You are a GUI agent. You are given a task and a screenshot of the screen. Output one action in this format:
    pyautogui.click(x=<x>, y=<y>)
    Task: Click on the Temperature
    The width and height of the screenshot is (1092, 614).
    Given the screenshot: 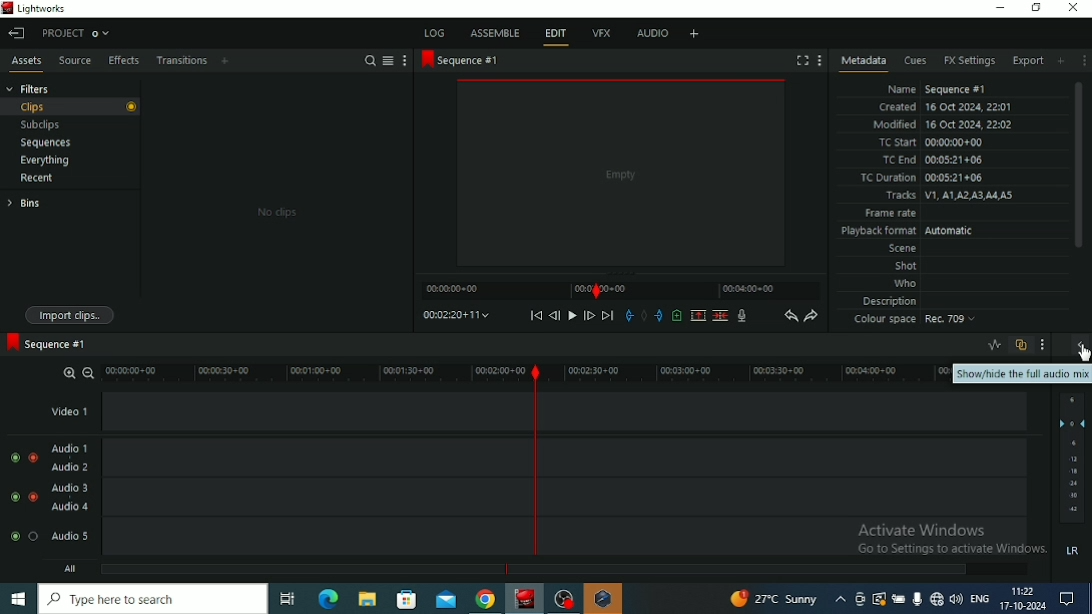 What is the action you would take?
    pyautogui.click(x=774, y=598)
    